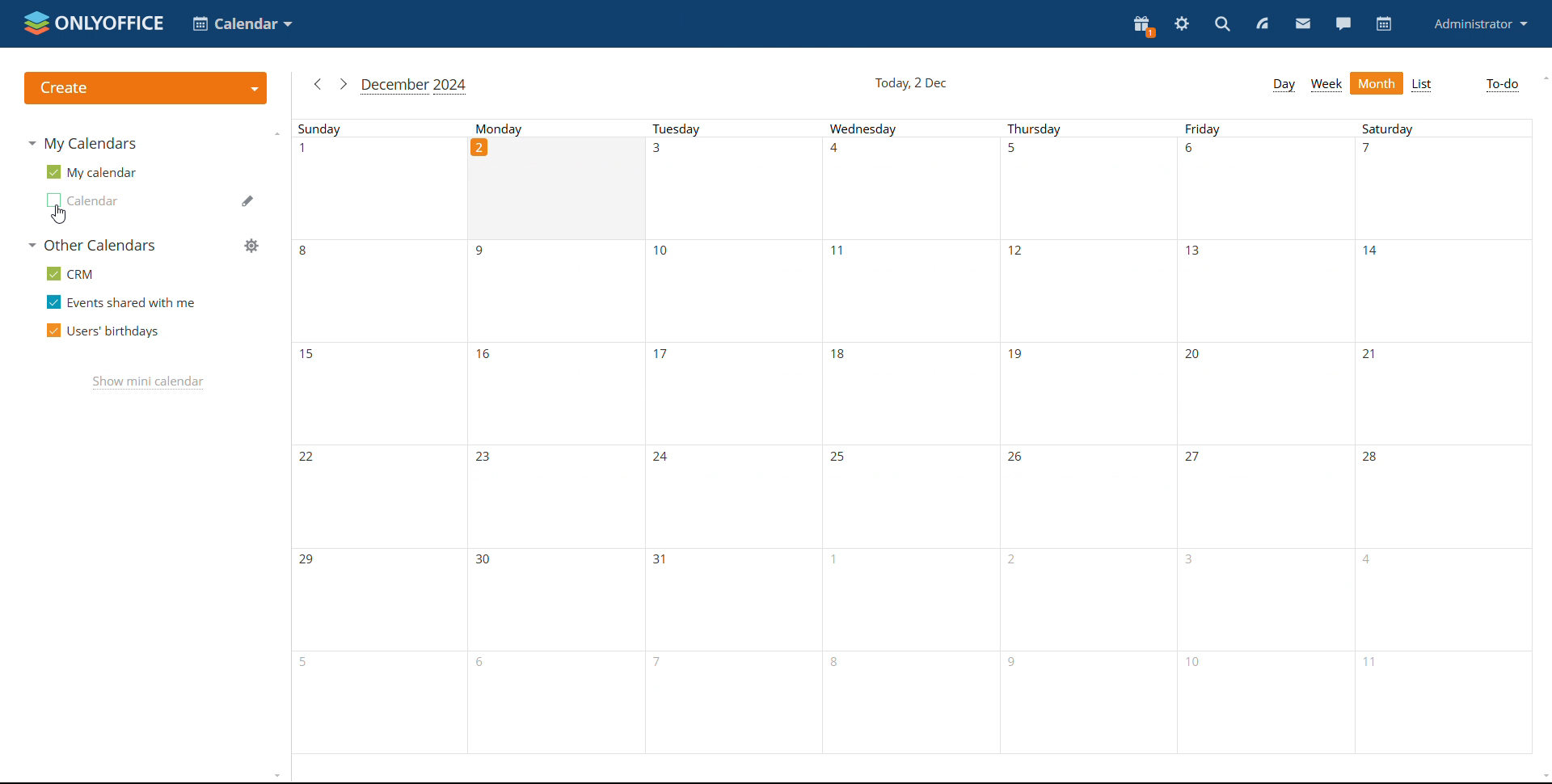  Describe the element at coordinates (907, 394) in the screenshot. I see `18` at that location.